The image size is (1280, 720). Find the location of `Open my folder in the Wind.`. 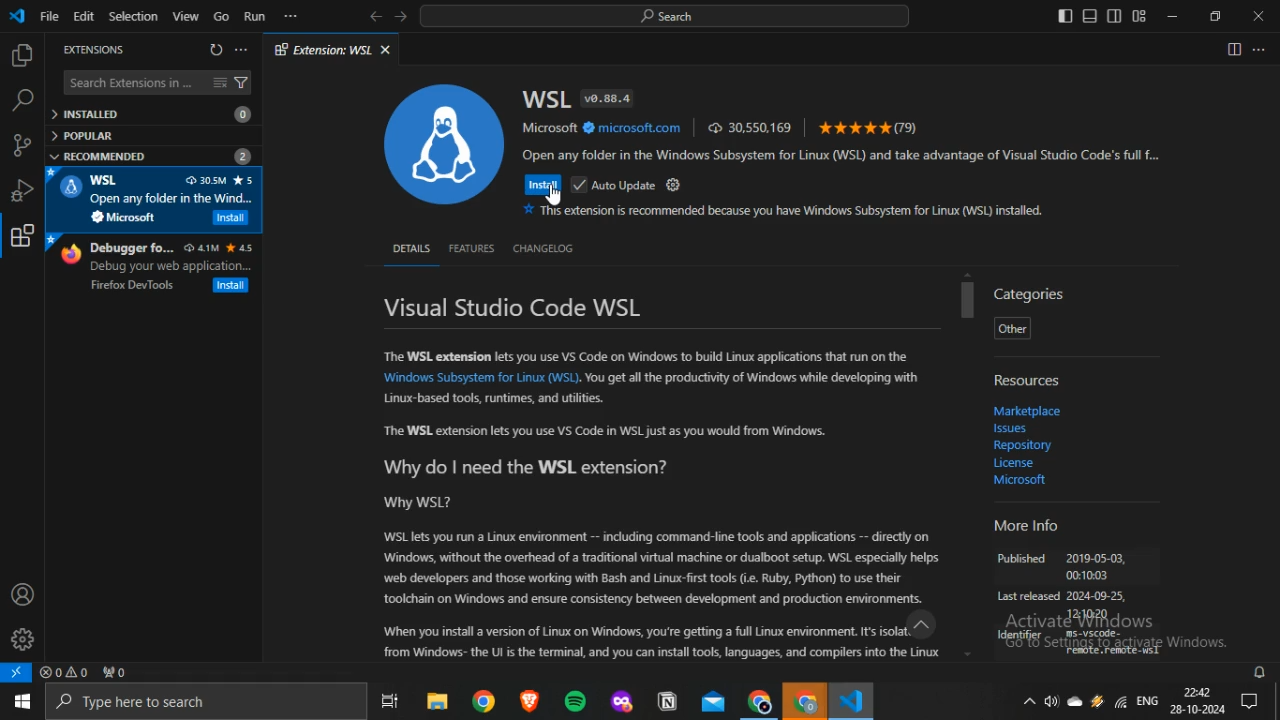

Open my folder in the Wind. is located at coordinates (173, 199).